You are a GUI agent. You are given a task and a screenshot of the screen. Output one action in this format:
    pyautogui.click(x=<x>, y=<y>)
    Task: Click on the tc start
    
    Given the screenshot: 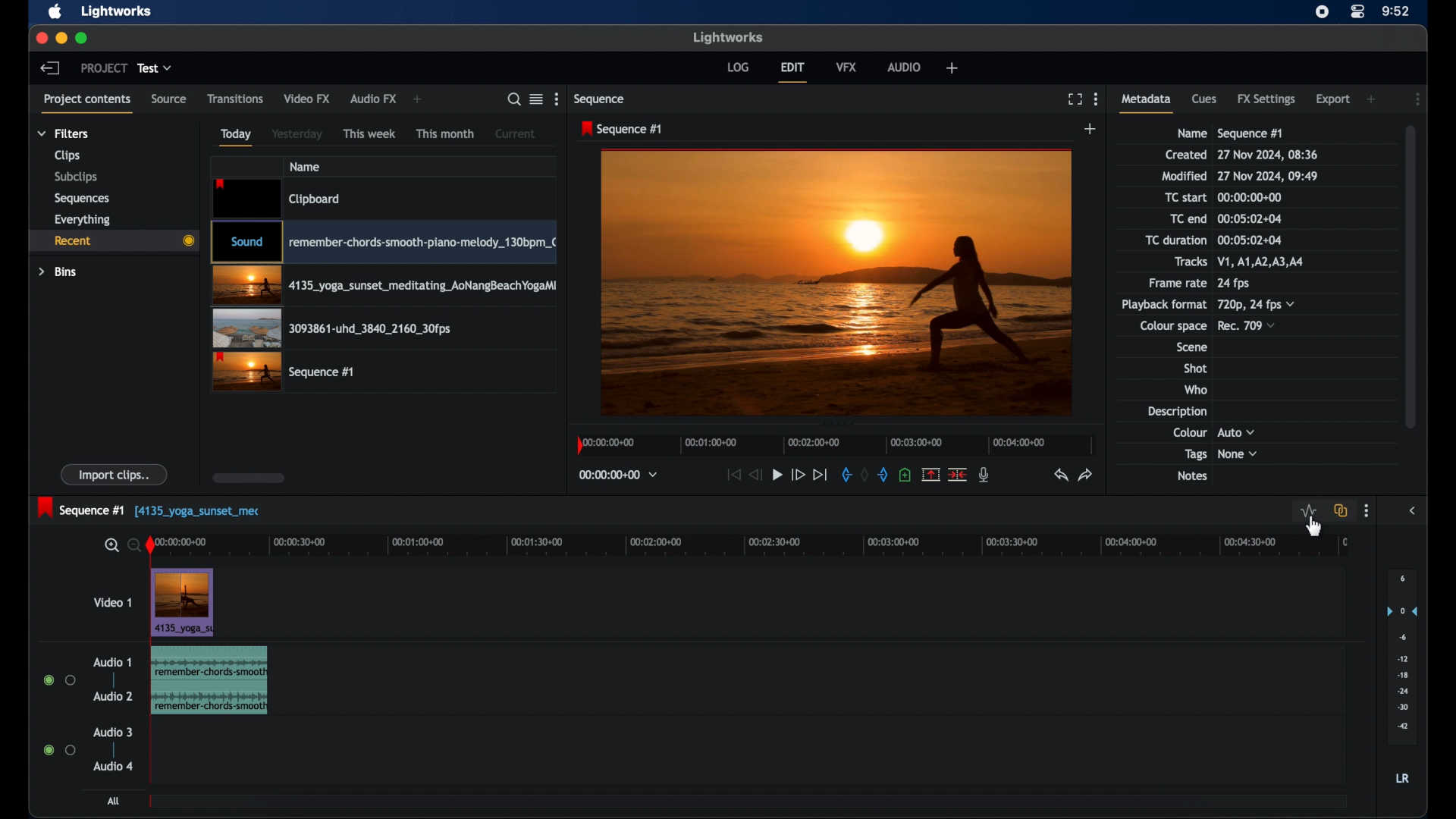 What is the action you would take?
    pyautogui.click(x=1187, y=196)
    